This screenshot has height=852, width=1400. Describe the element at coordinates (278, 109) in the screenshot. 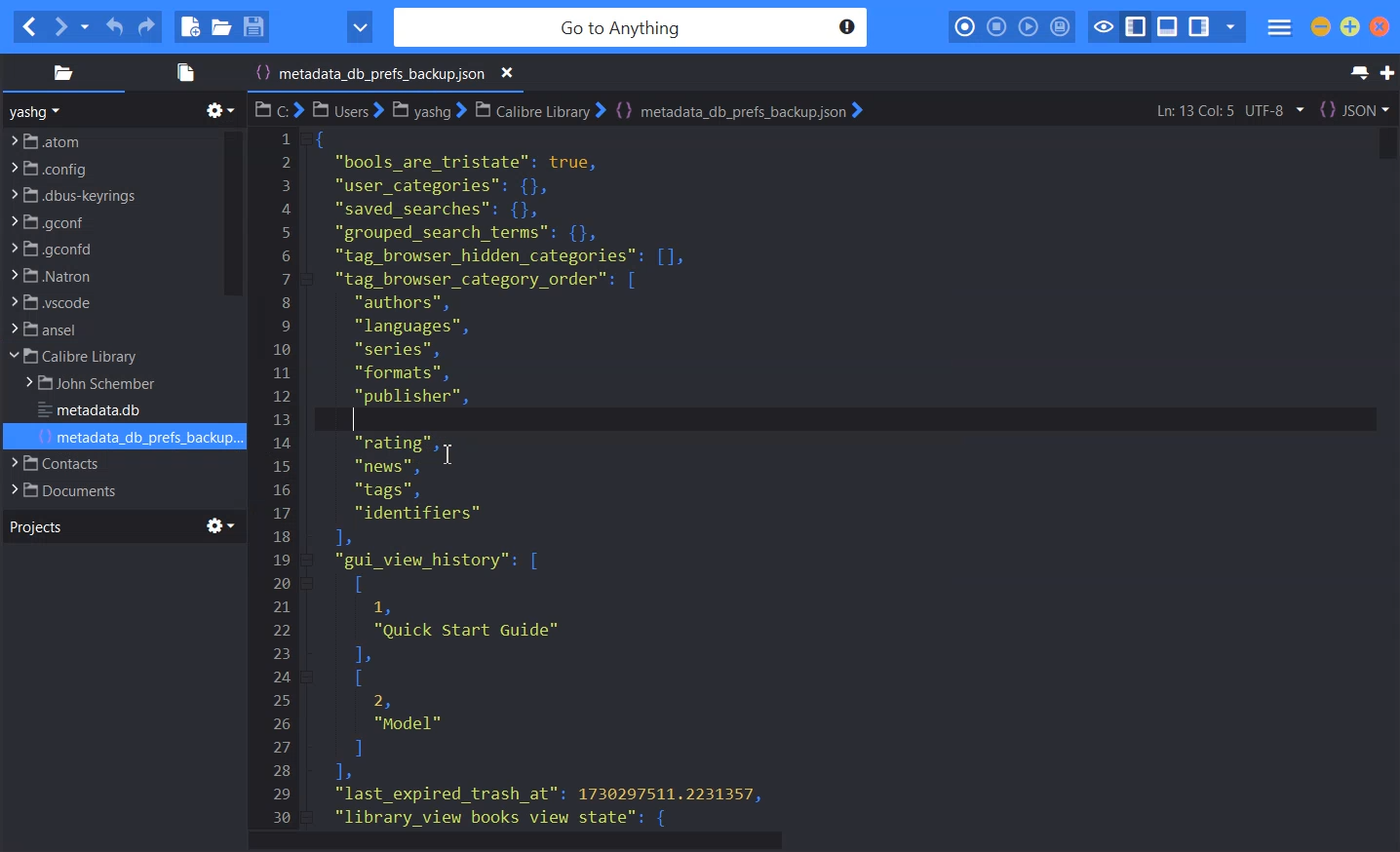

I see `File C` at that location.